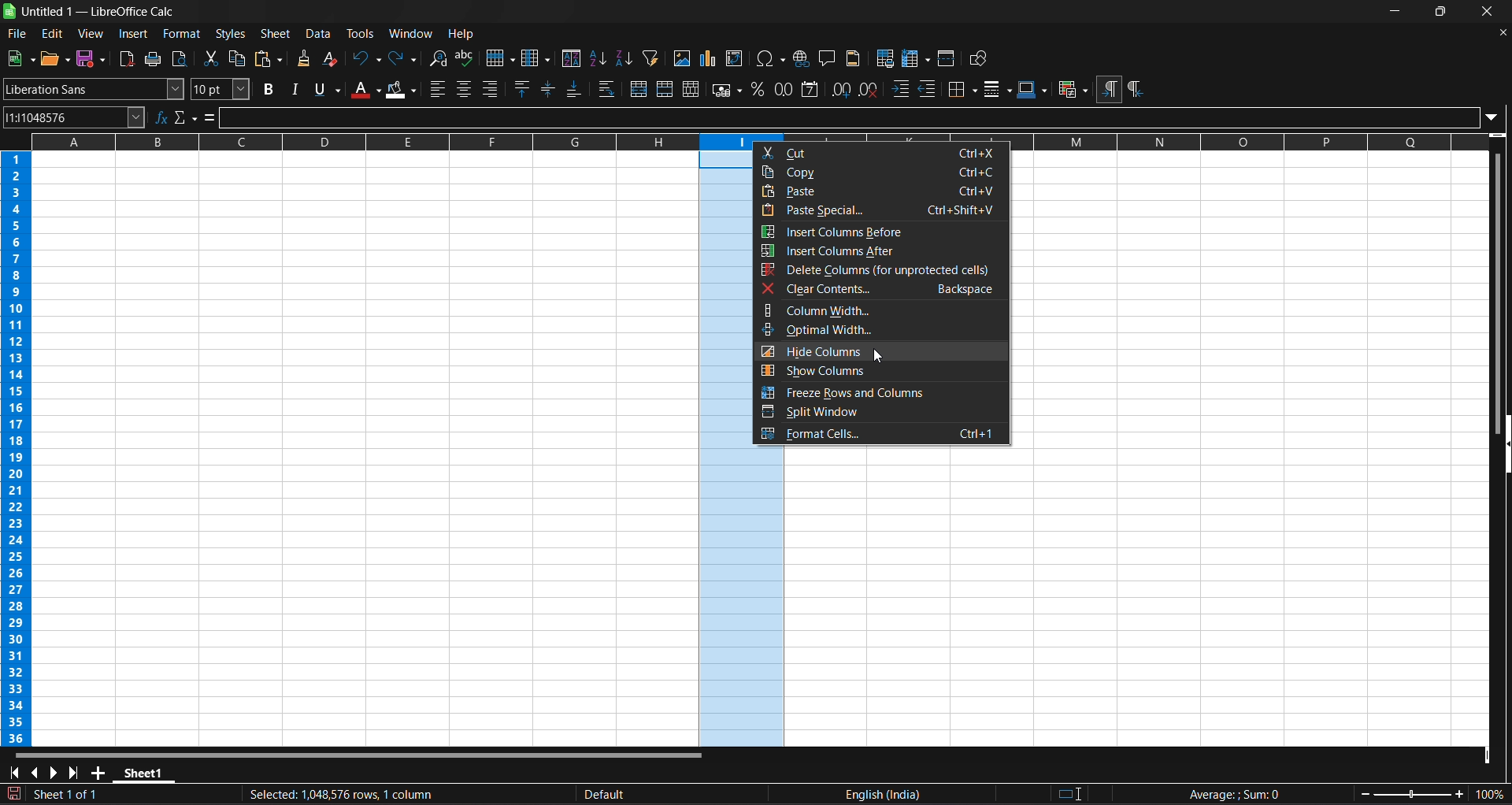  I want to click on scroll to next sheet, so click(56, 772).